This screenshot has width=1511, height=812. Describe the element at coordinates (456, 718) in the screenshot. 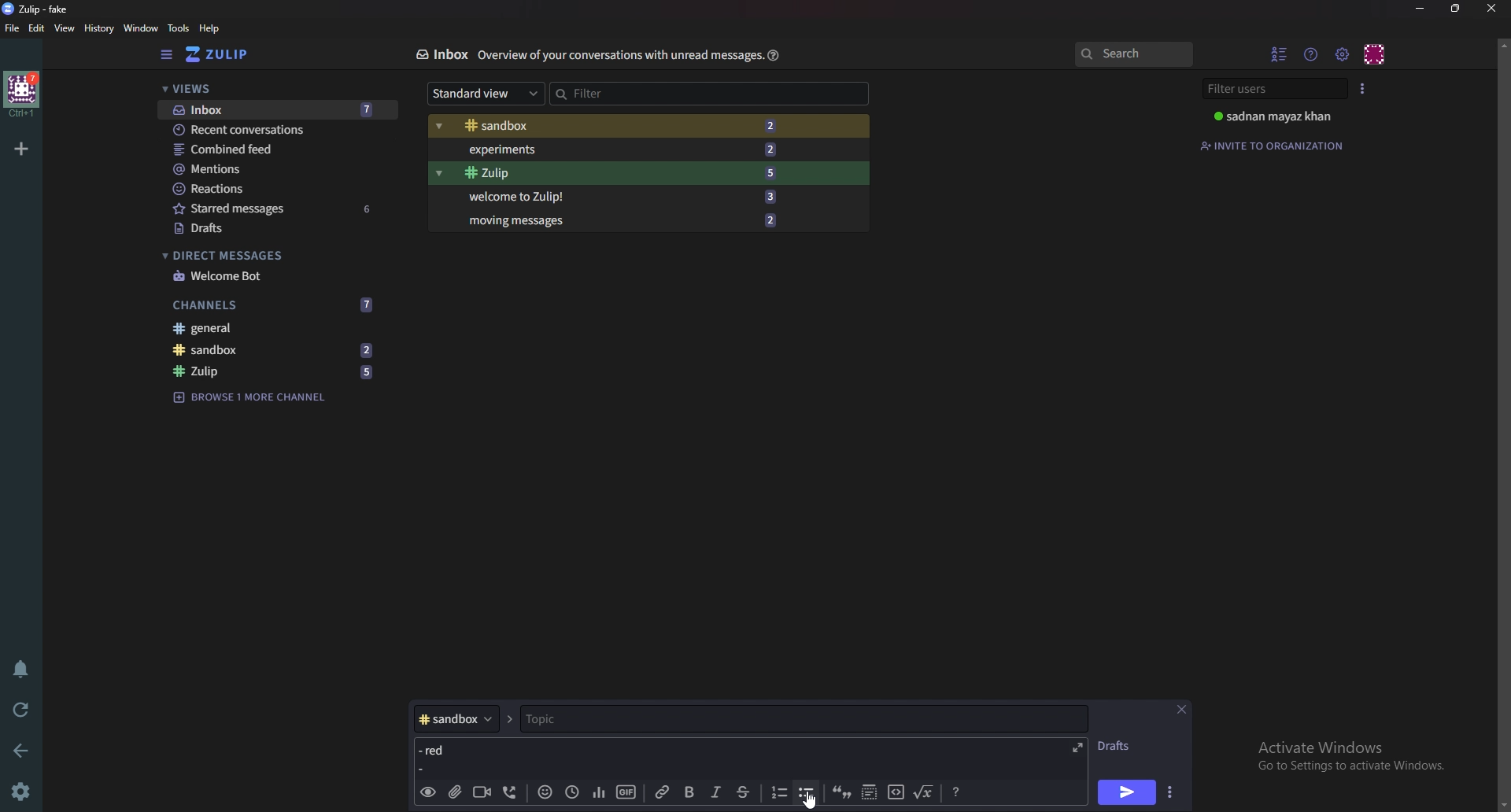

I see `Channel` at that location.